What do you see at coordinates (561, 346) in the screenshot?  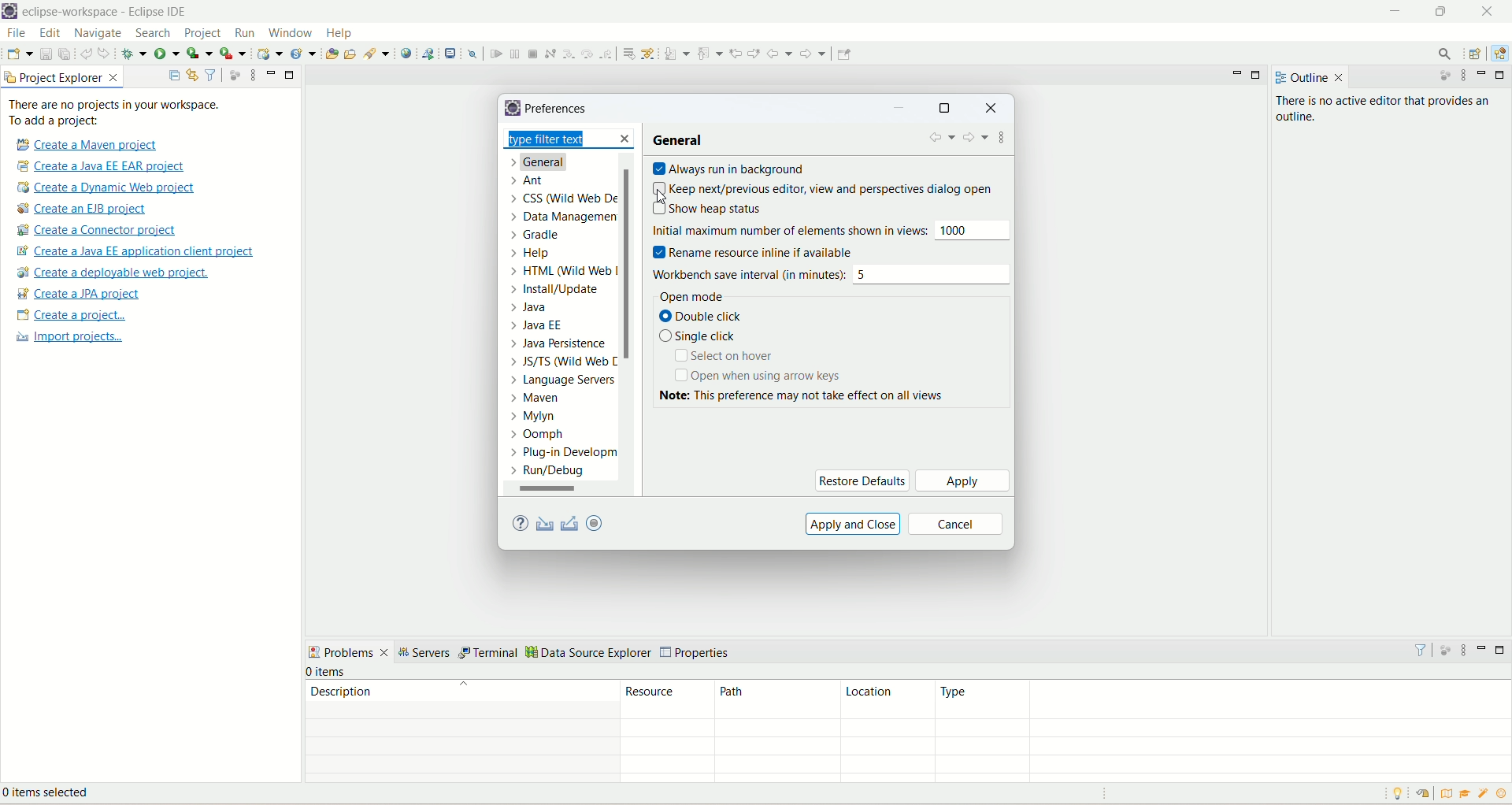 I see `Java Persistence` at bounding box center [561, 346].